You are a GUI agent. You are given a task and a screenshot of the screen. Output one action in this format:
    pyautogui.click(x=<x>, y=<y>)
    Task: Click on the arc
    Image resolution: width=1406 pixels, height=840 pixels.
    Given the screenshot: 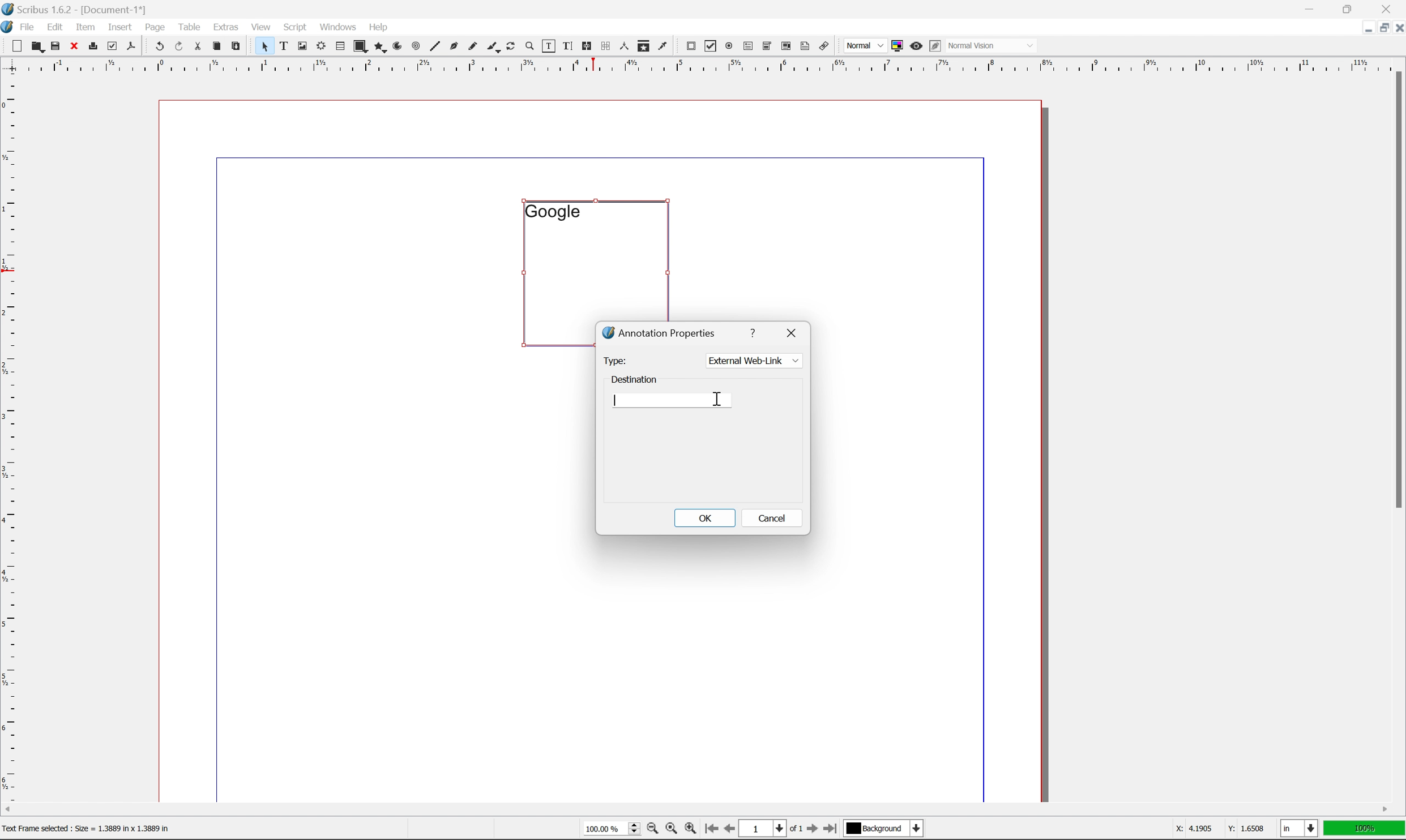 What is the action you would take?
    pyautogui.click(x=399, y=46)
    